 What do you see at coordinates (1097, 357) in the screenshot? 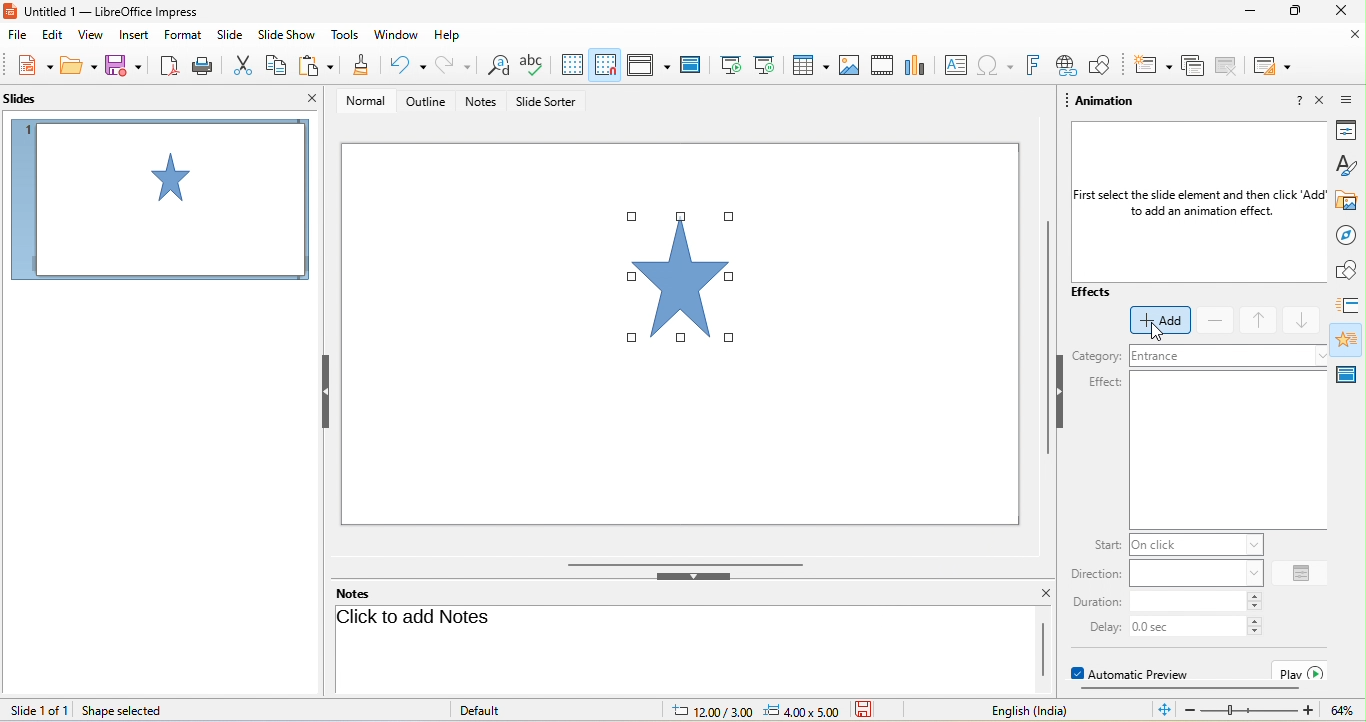
I see `category` at bounding box center [1097, 357].